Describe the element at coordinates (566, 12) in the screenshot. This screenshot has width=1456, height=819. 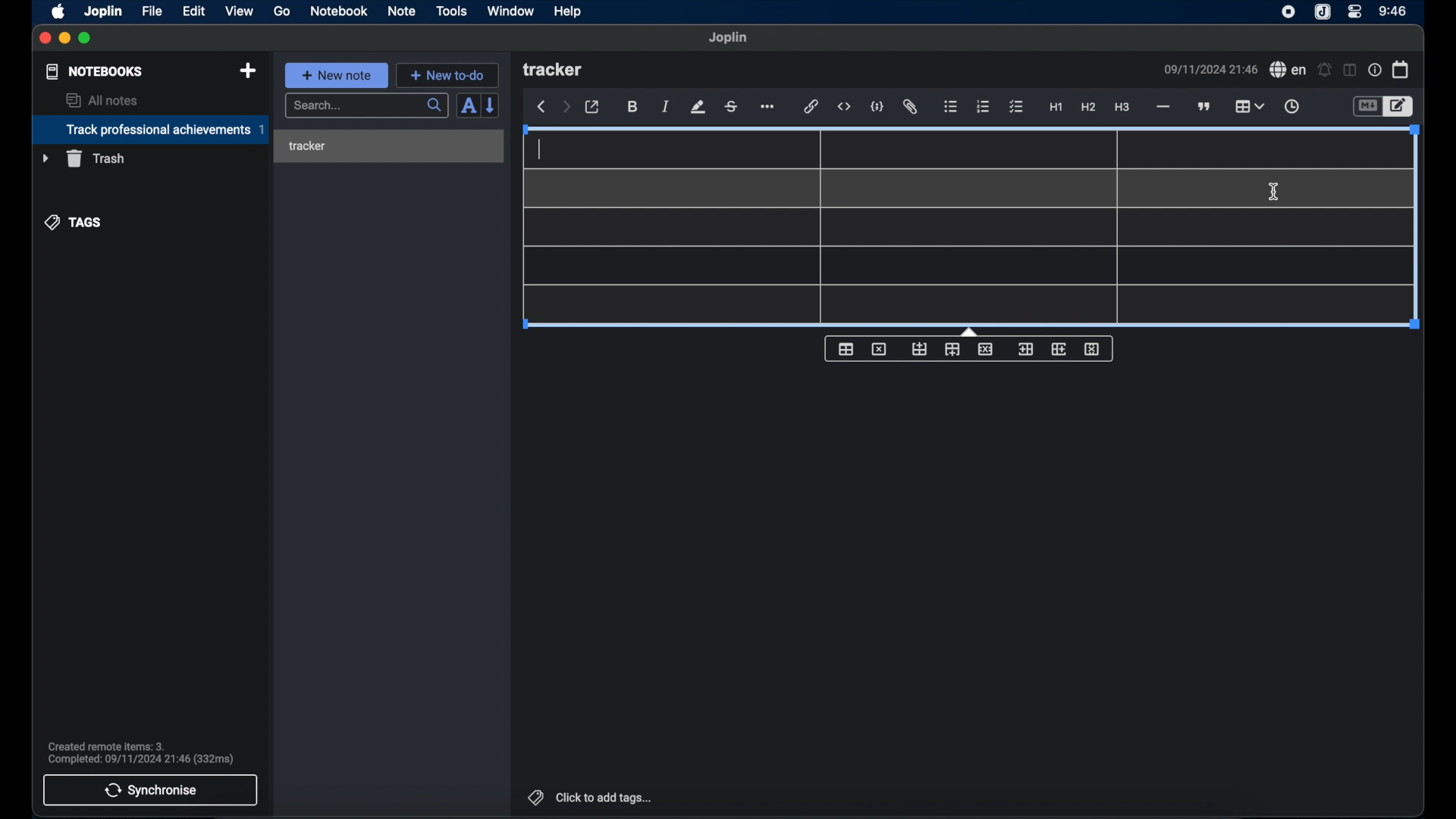
I see `help` at that location.